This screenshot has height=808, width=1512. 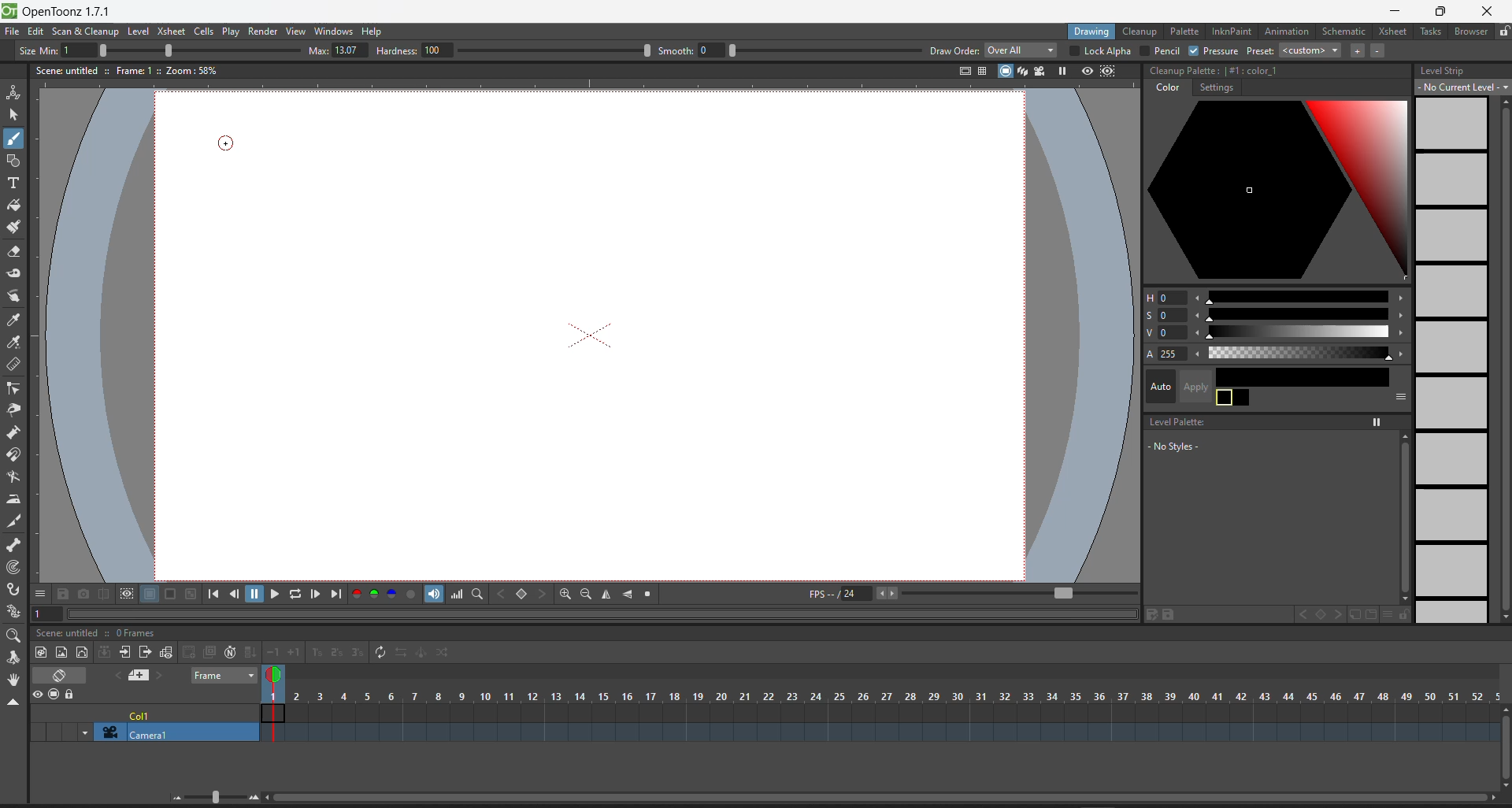 I want to click on new toonz raster level, so click(x=40, y=654).